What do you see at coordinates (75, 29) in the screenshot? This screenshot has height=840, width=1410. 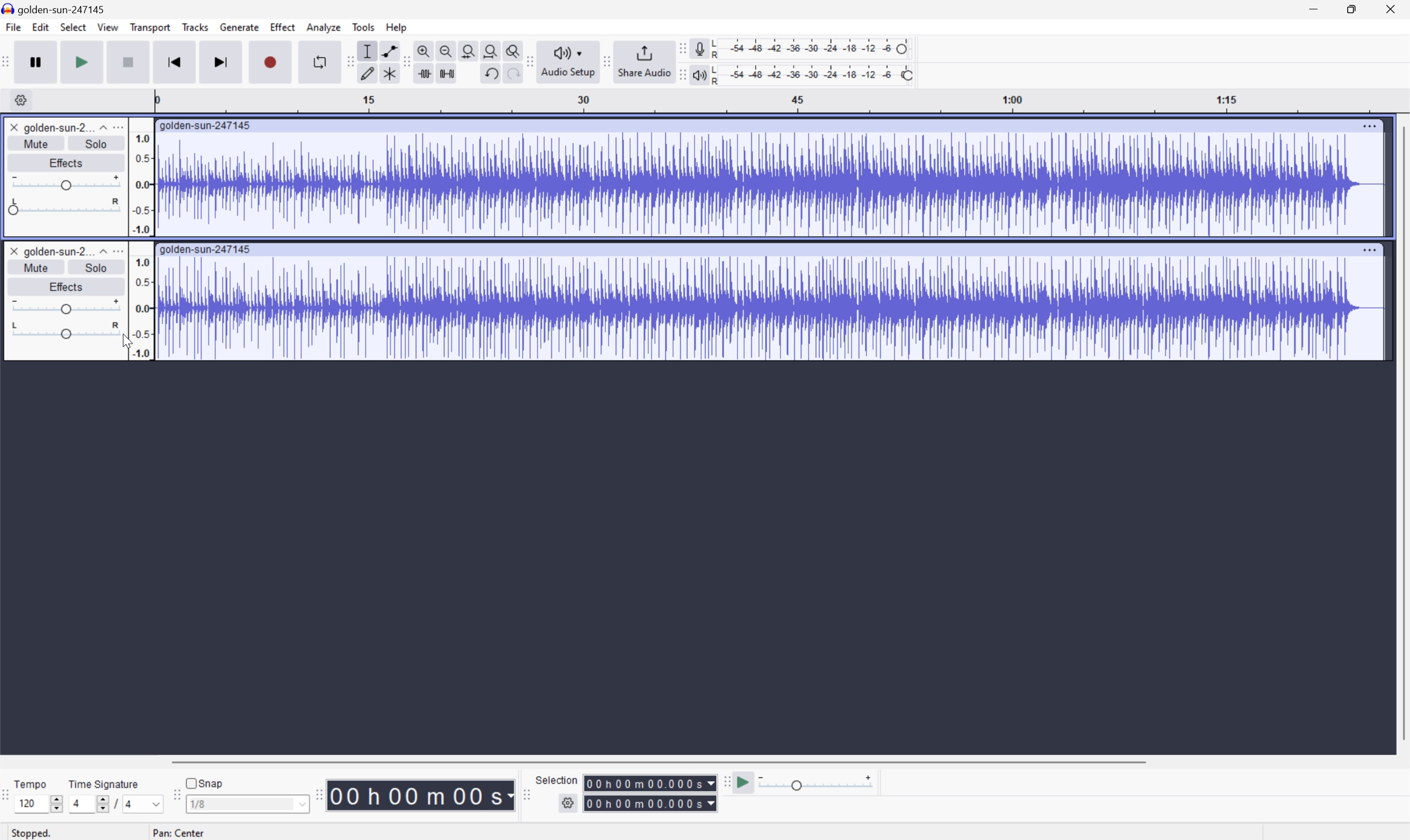 I see `Select` at bounding box center [75, 29].